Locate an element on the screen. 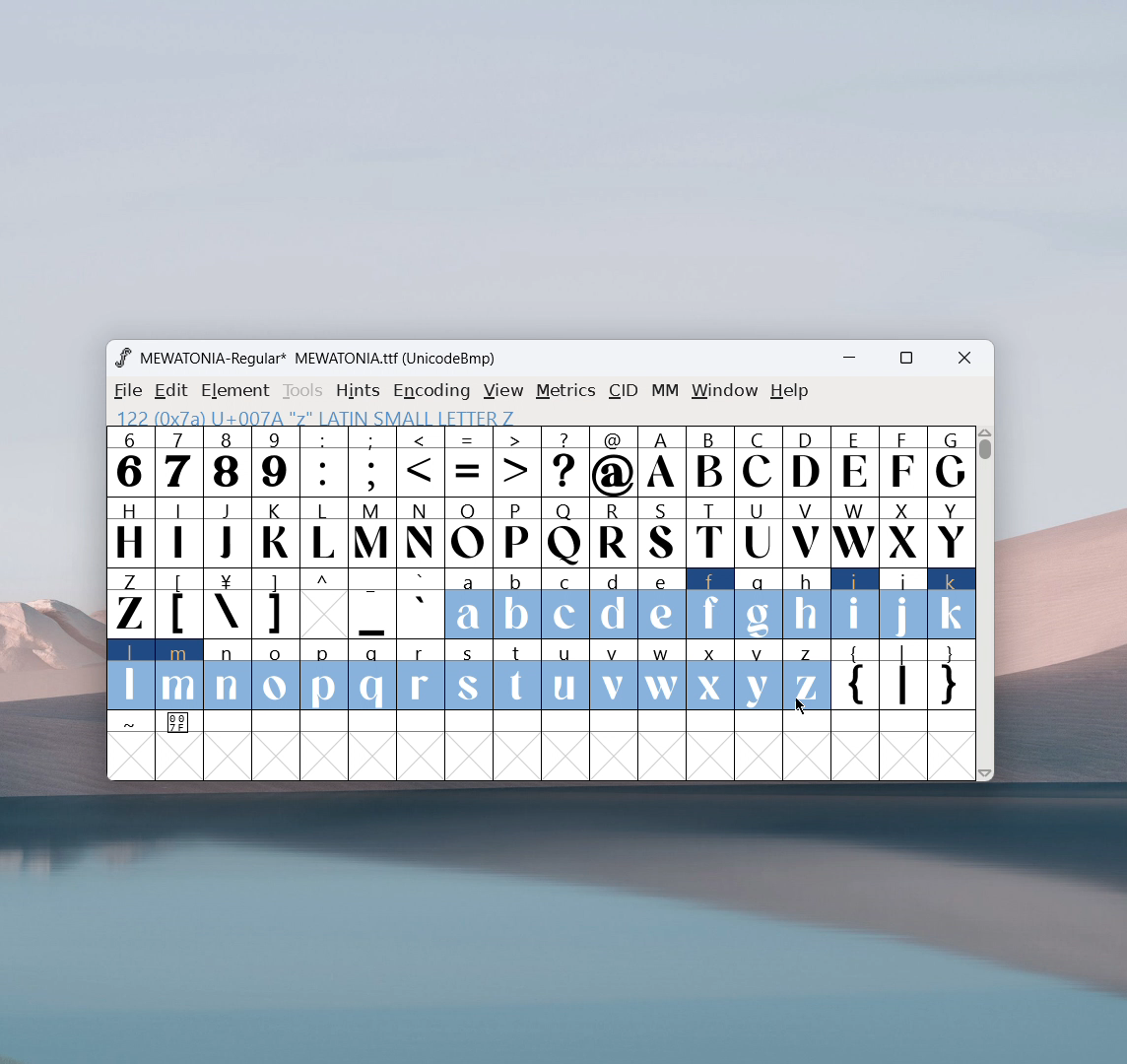 This screenshot has width=1127, height=1064. ^ is located at coordinates (323, 604).